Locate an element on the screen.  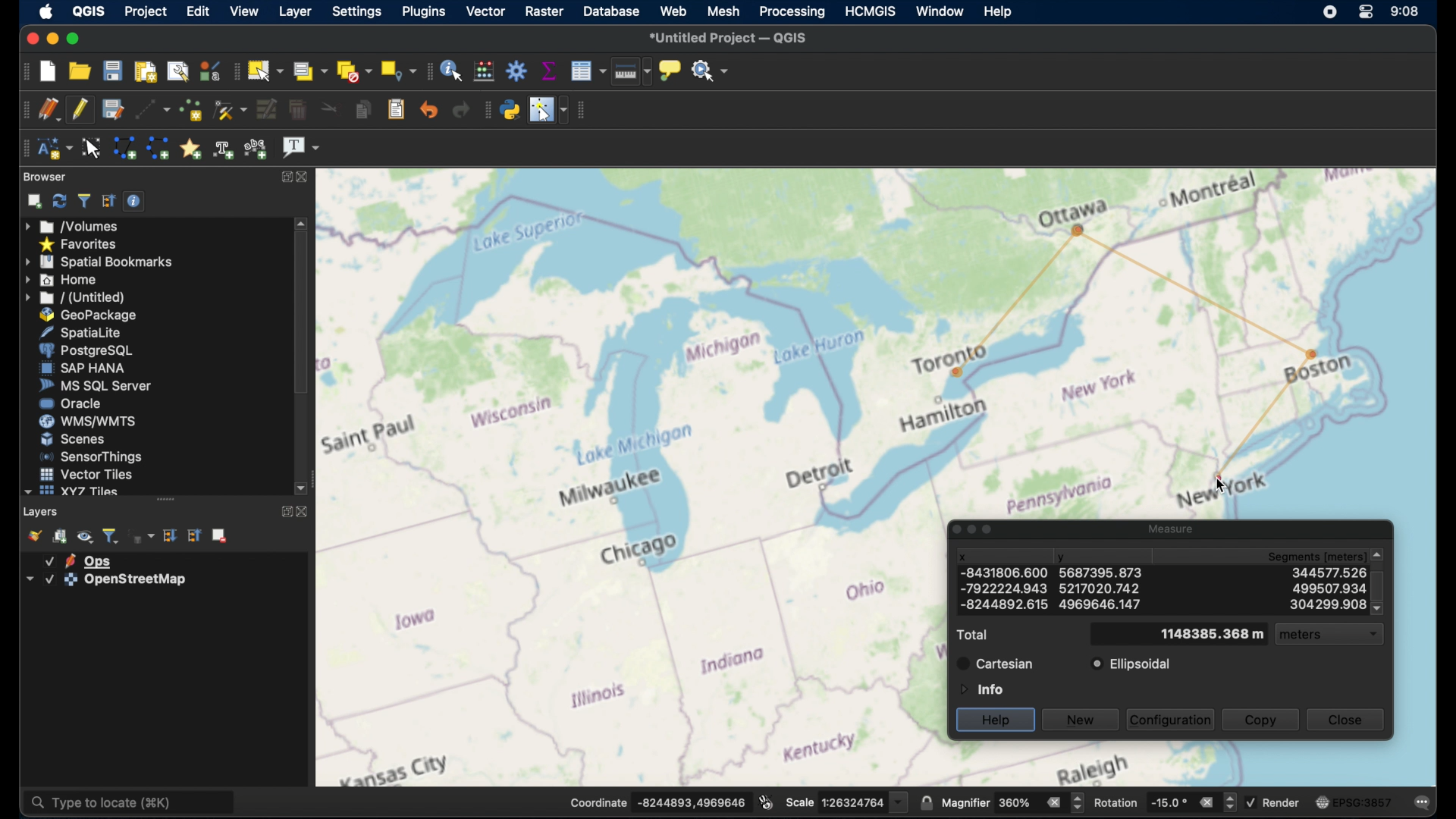
raster is located at coordinates (543, 11).